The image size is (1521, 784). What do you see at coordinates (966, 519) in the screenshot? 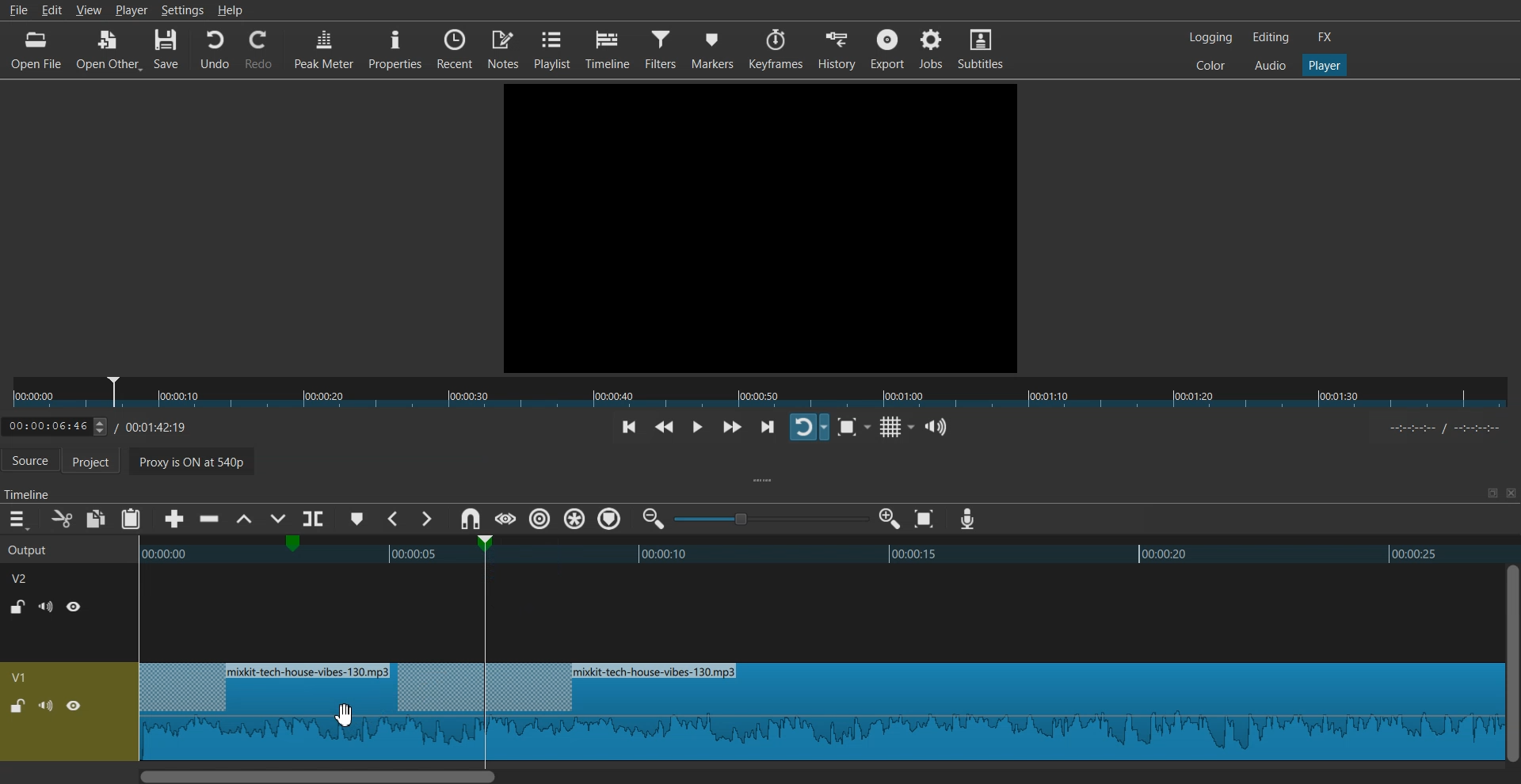
I see `Record audio` at bounding box center [966, 519].